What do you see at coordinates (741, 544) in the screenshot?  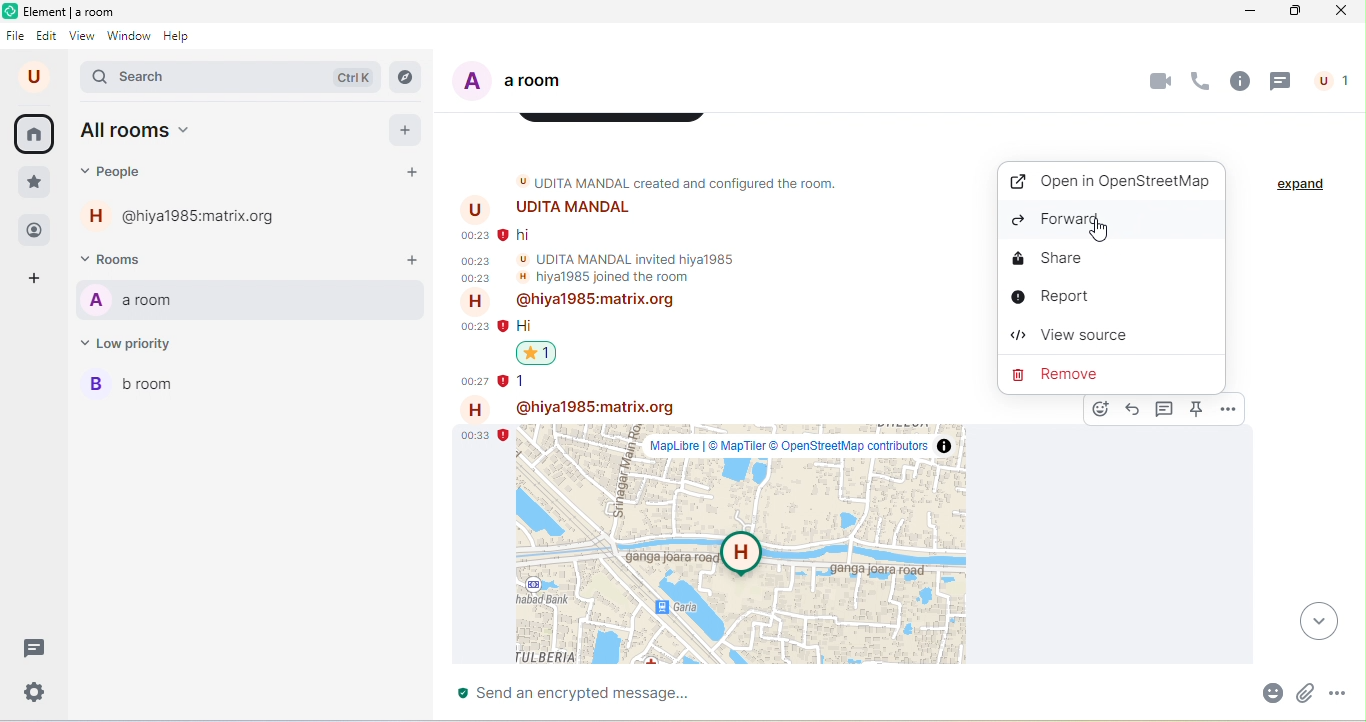 I see `location shared by hiya 1985` at bounding box center [741, 544].